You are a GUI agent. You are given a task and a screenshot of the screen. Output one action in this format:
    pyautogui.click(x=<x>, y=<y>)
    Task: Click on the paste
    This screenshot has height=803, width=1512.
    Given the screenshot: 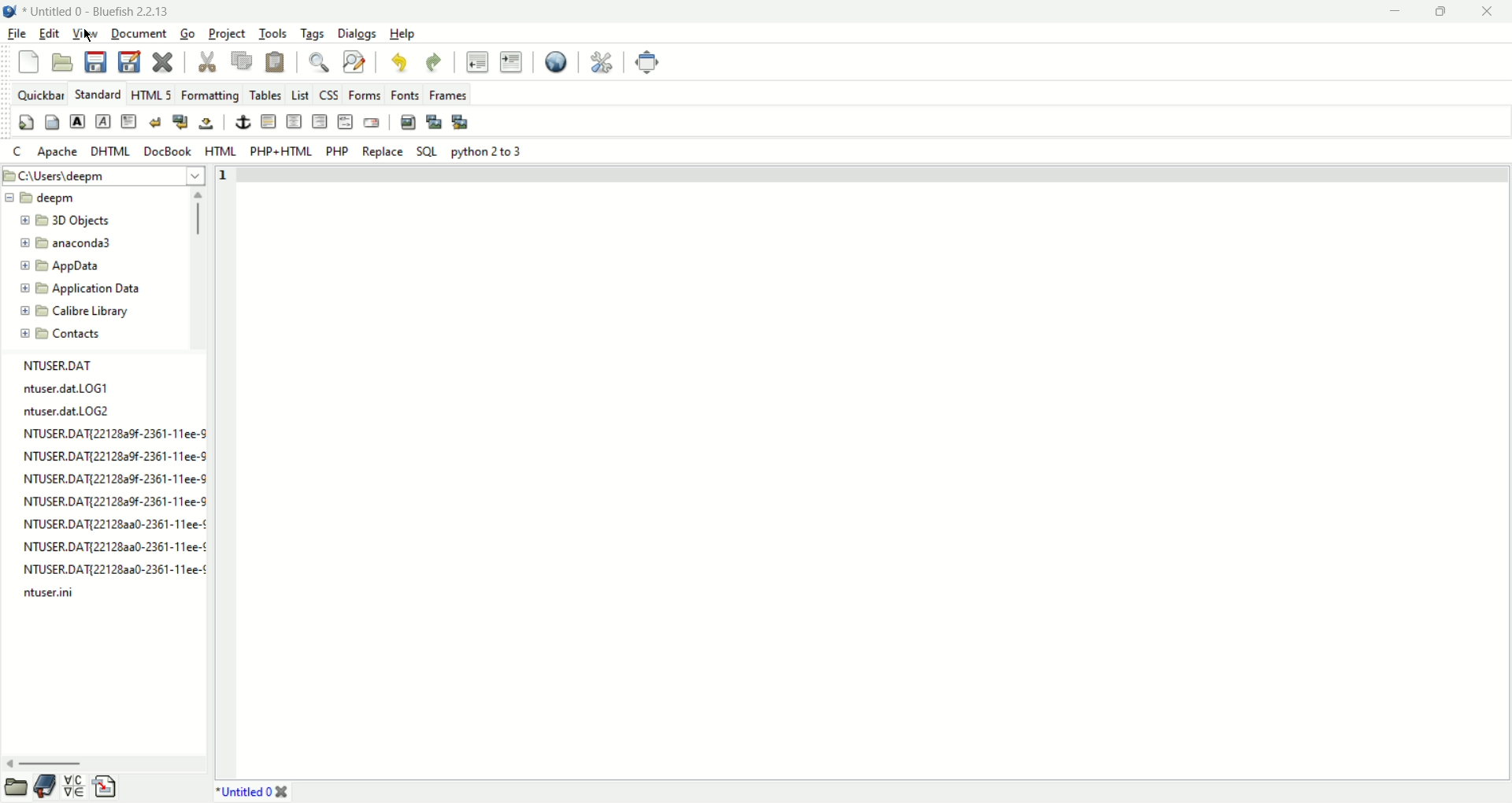 What is the action you would take?
    pyautogui.click(x=275, y=61)
    